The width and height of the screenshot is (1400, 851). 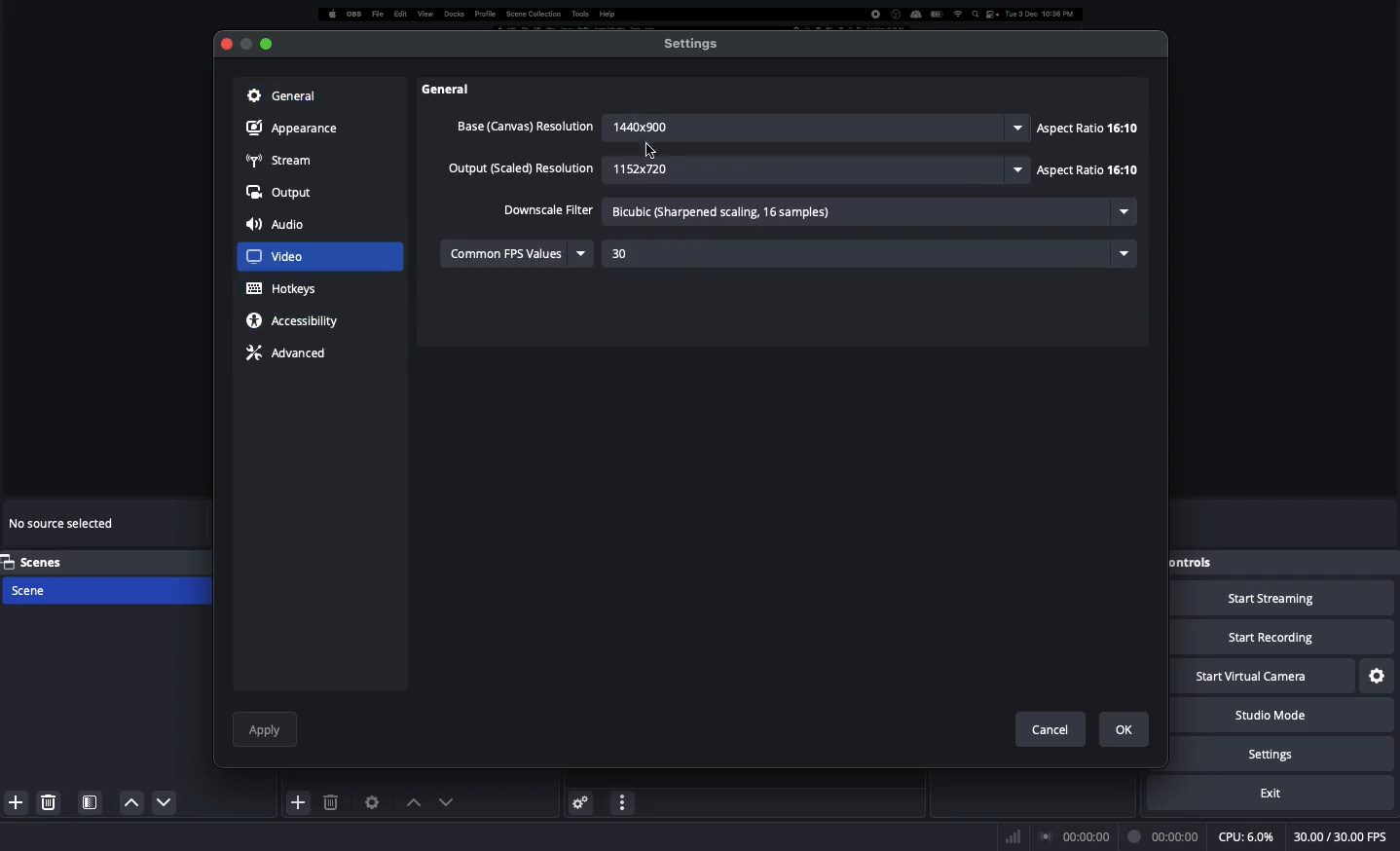 I want to click on Exit, so click(x=1283, y=793).